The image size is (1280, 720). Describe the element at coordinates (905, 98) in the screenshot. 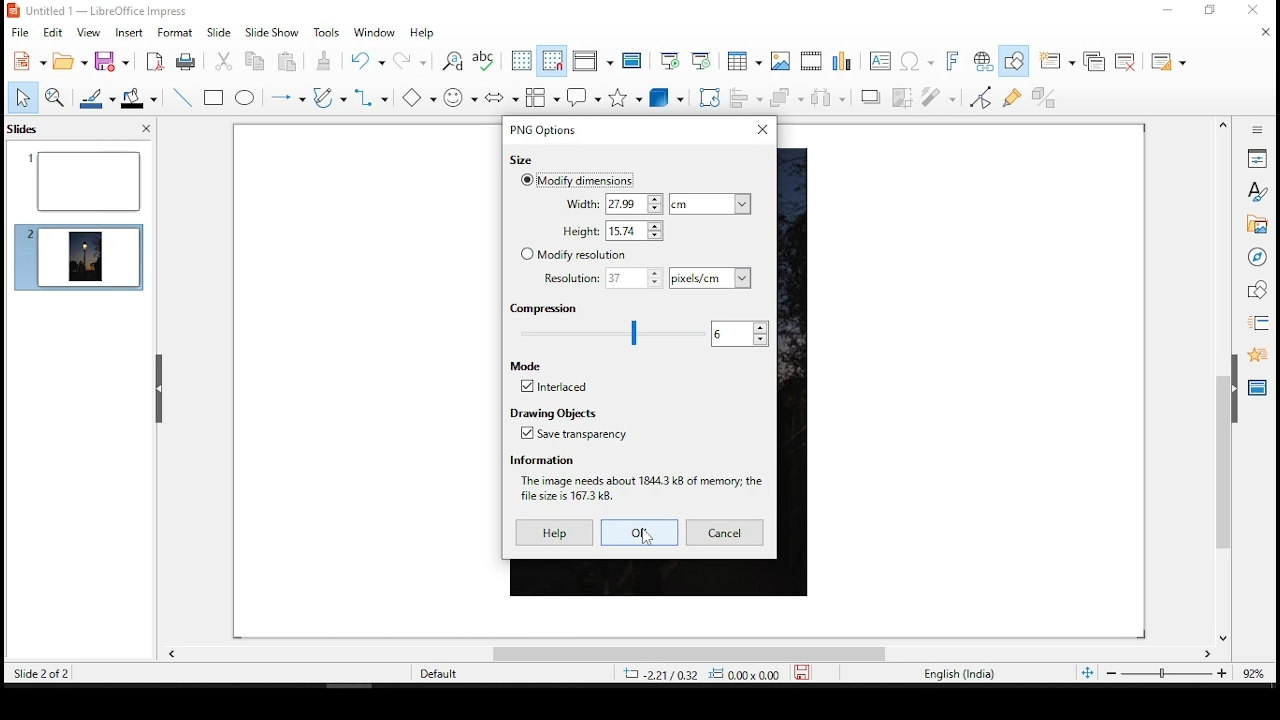

I see `crop image` at that location.